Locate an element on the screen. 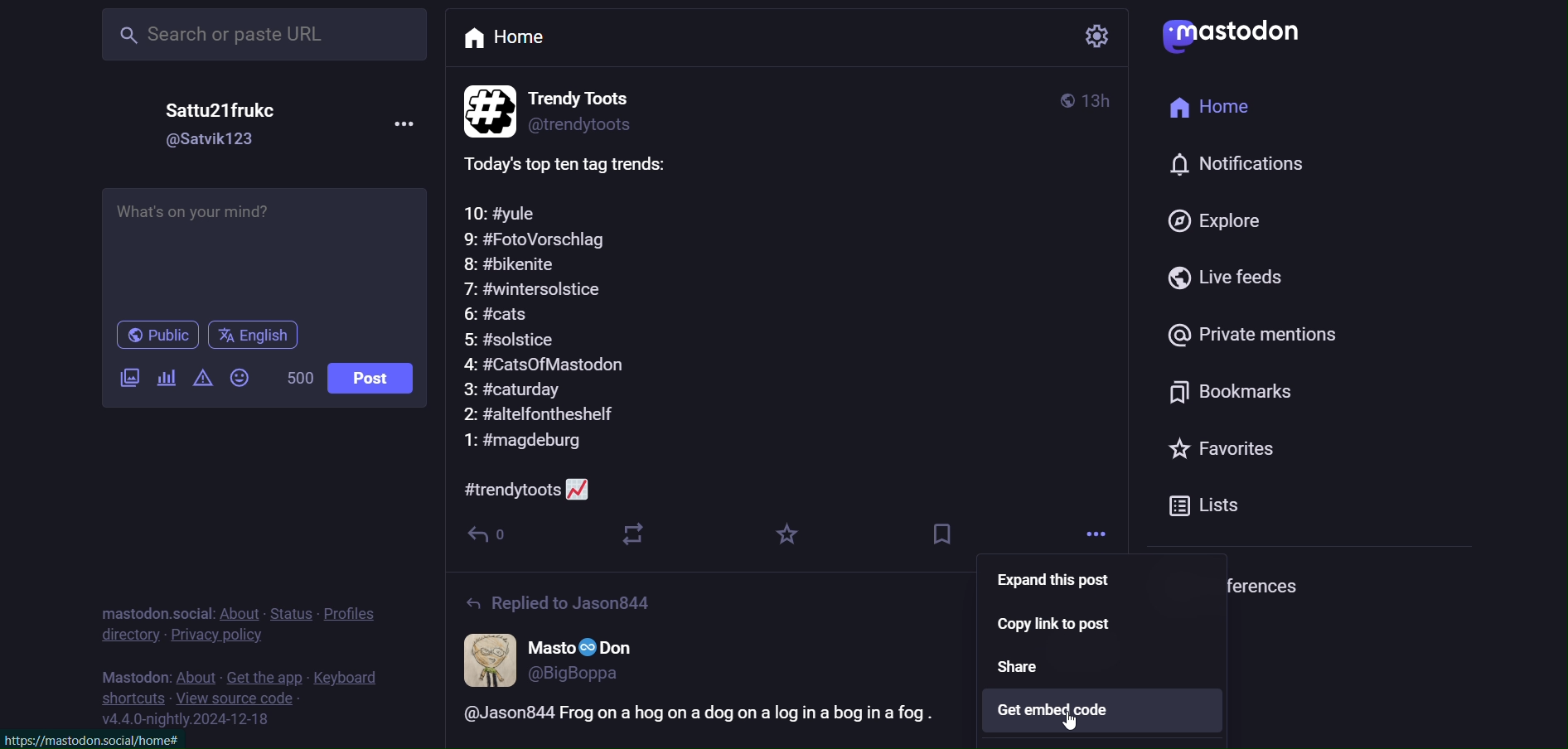 This screenshot has width=1568, height=749. status is located at coordinates (293, 608).